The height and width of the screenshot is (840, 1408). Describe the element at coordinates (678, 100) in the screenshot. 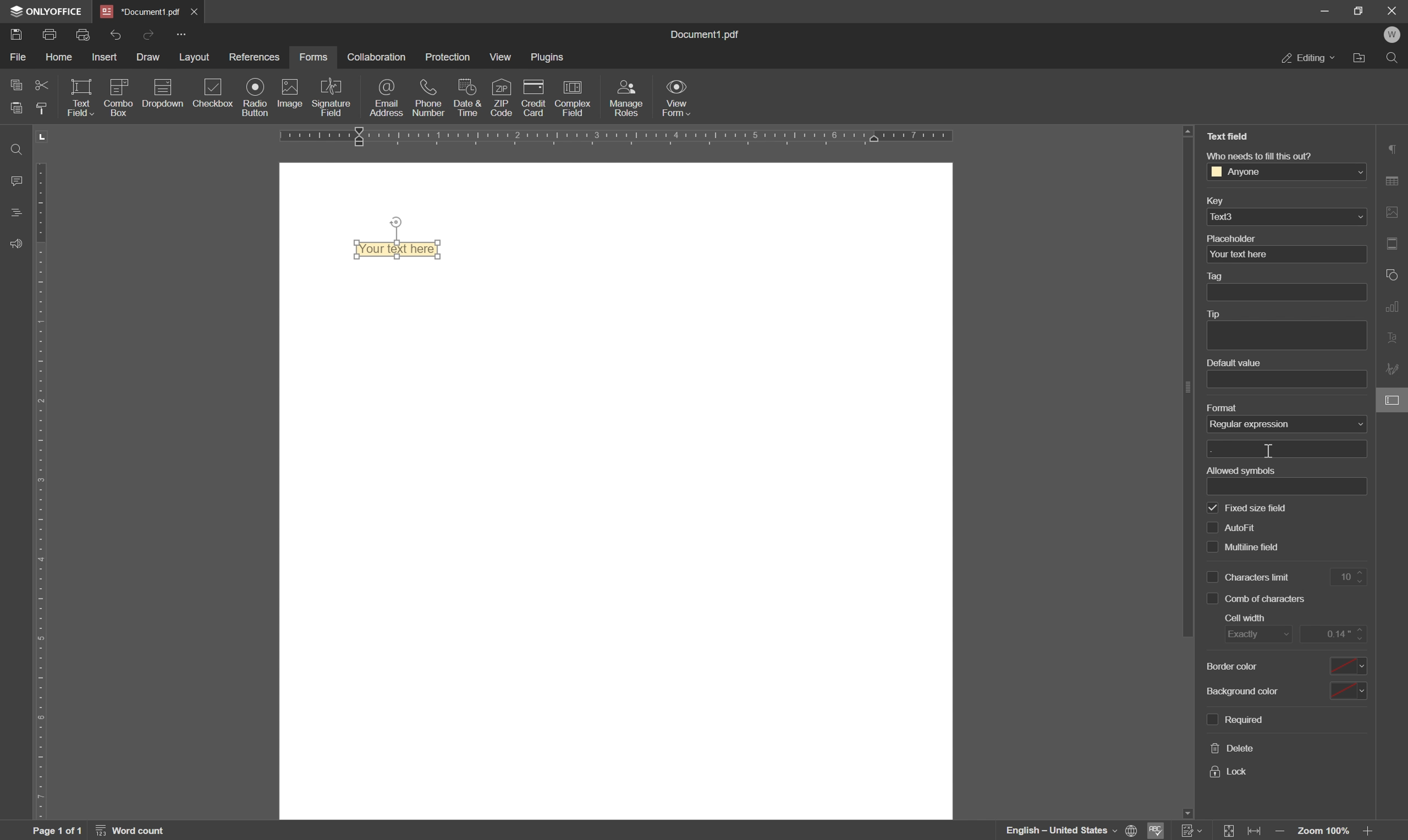

I see `view form` at that location.